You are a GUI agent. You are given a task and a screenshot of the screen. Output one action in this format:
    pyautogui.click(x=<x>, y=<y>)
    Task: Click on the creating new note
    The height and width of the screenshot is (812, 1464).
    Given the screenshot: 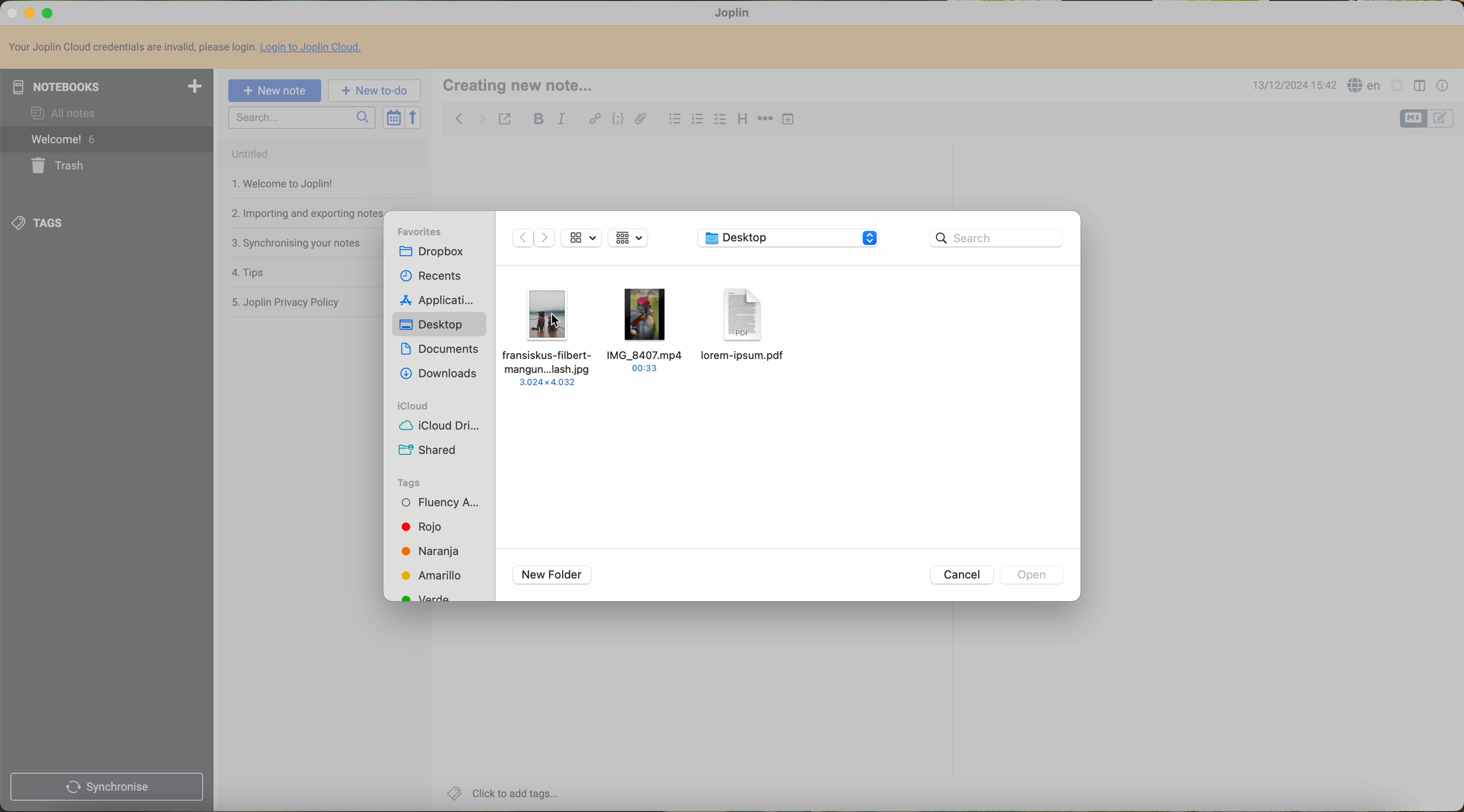 What is the action you would take?
    pyautogui.click(x=525, y=86)
    